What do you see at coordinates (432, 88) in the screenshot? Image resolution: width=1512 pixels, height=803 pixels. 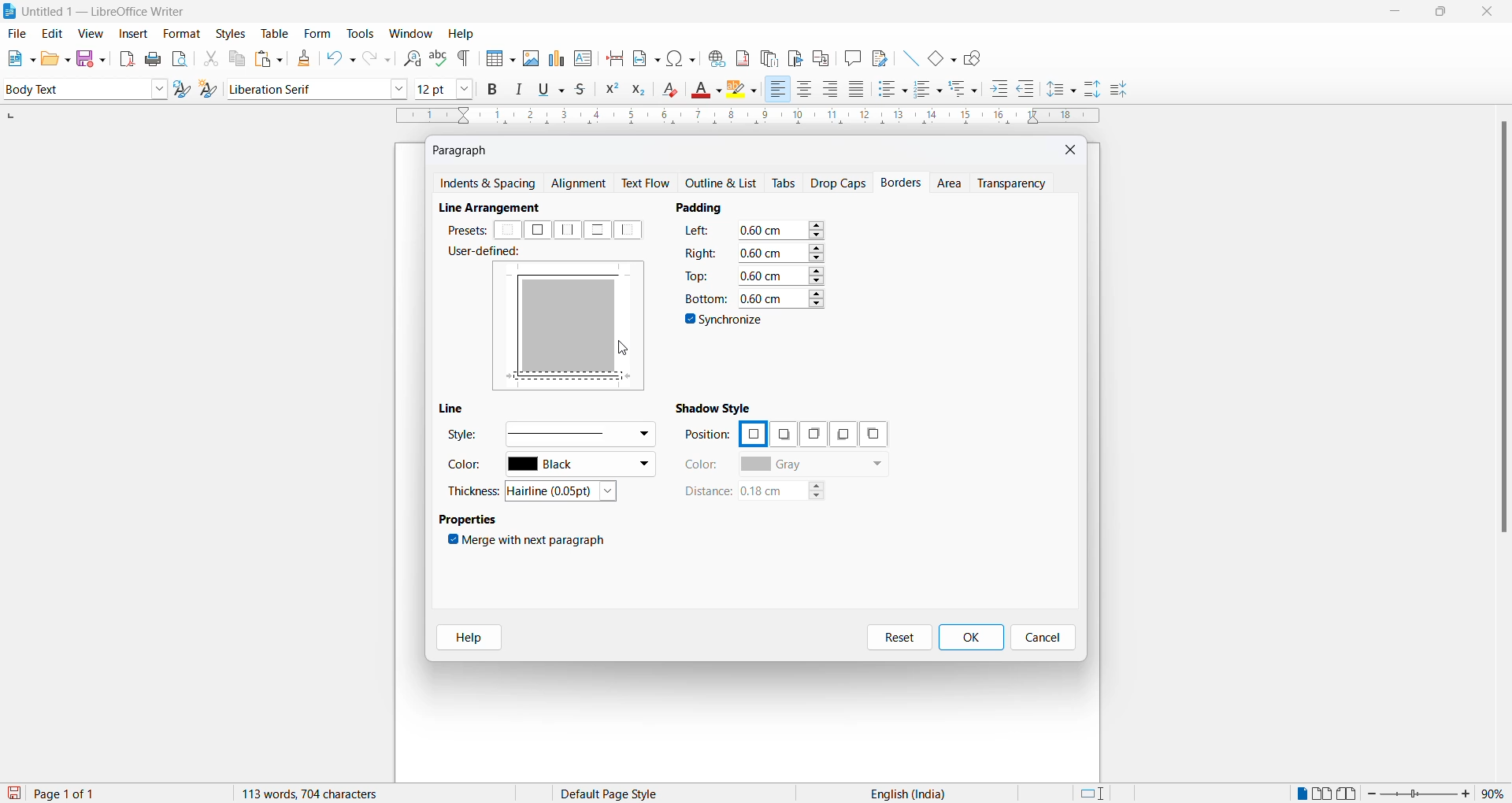 I see `font size` at bounding box center [432, 88].